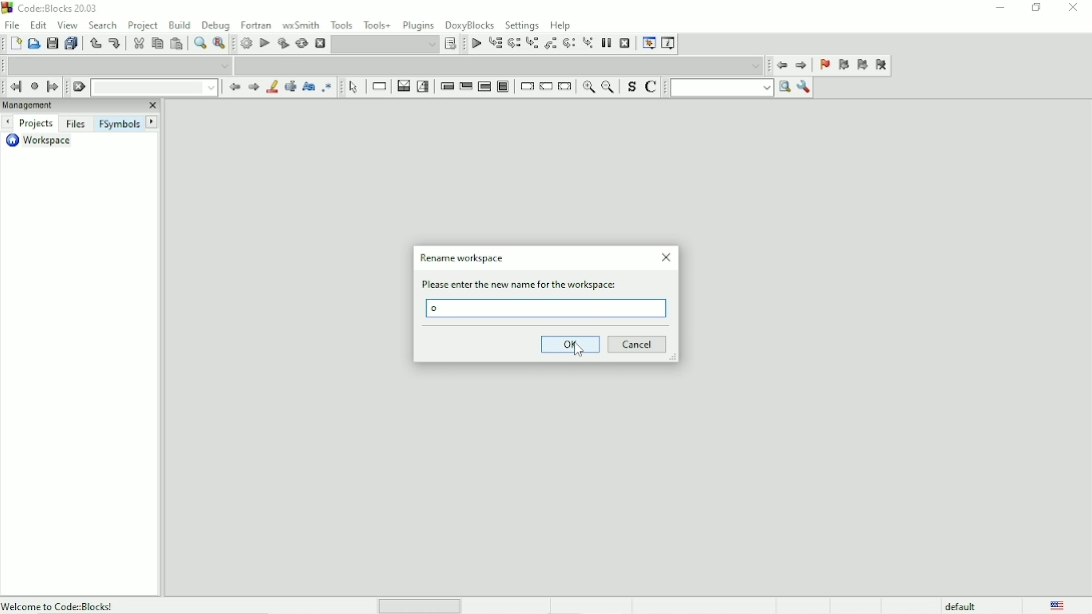  What do you see at coordinates (631, 88) in the screenshot?
I see `Toggle source` at bounding box center [631, 88].